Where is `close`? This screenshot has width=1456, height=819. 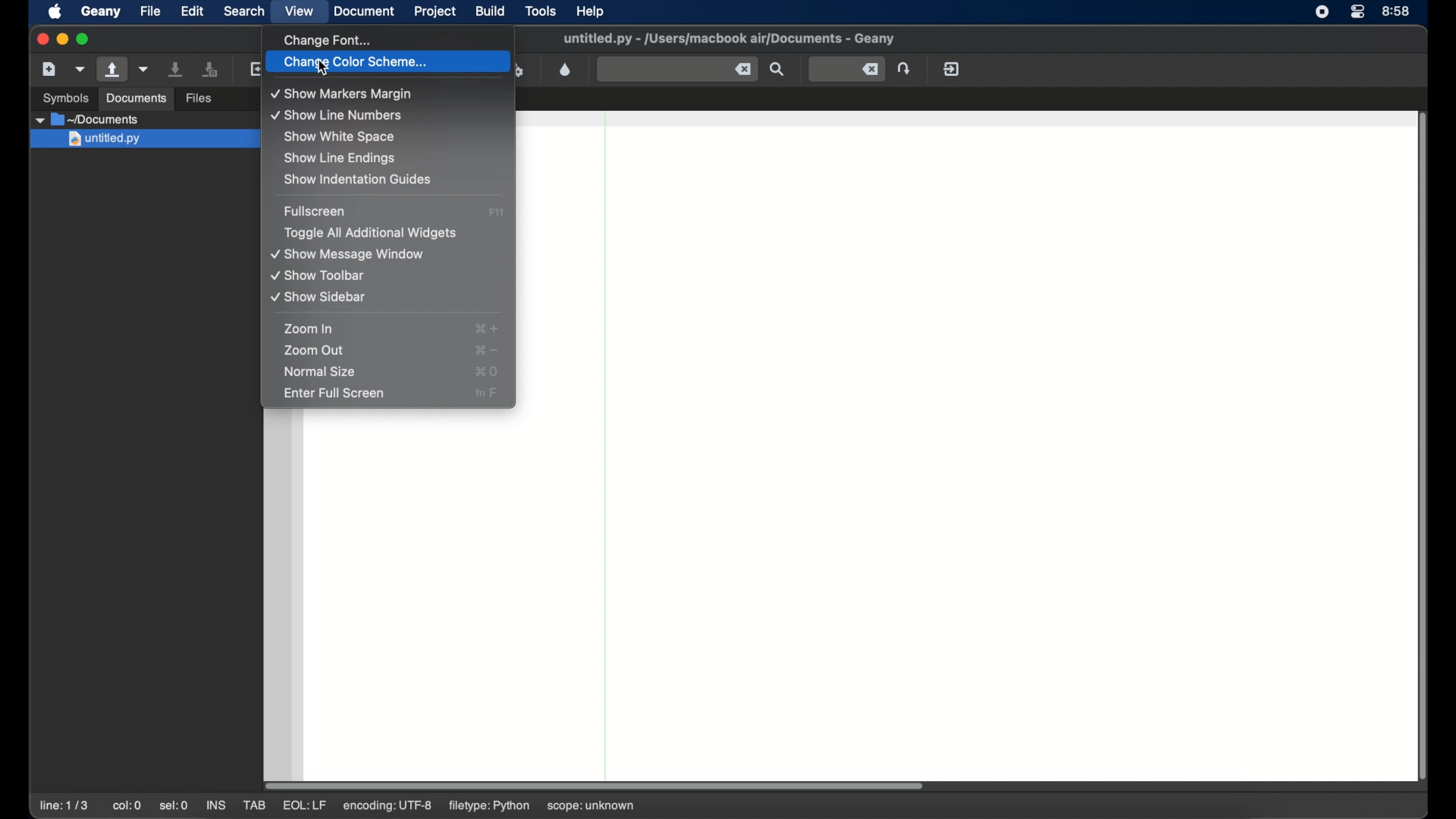
close is located at coordinates (41, 39).